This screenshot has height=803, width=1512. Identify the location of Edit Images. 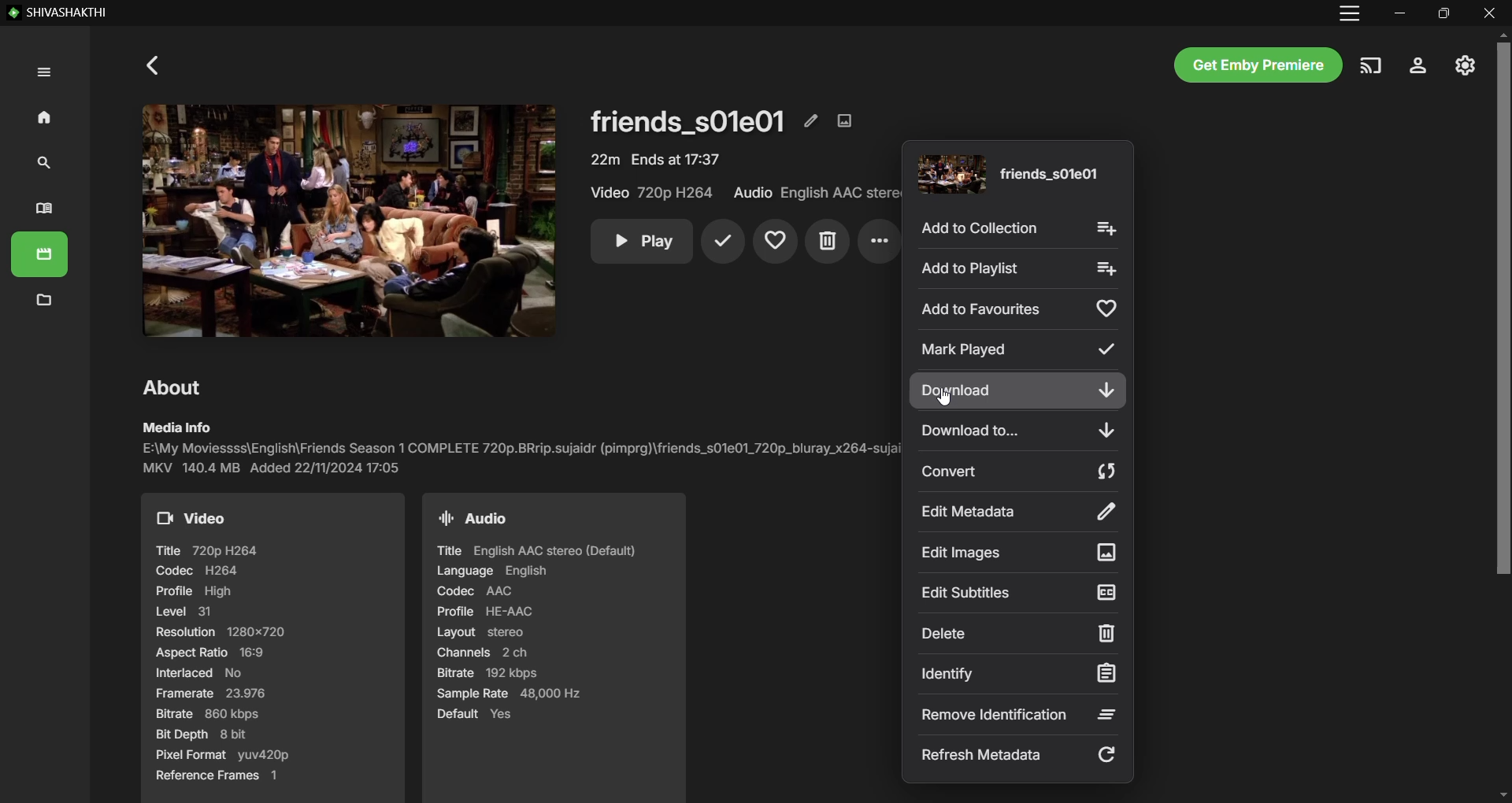
(1019, 553).